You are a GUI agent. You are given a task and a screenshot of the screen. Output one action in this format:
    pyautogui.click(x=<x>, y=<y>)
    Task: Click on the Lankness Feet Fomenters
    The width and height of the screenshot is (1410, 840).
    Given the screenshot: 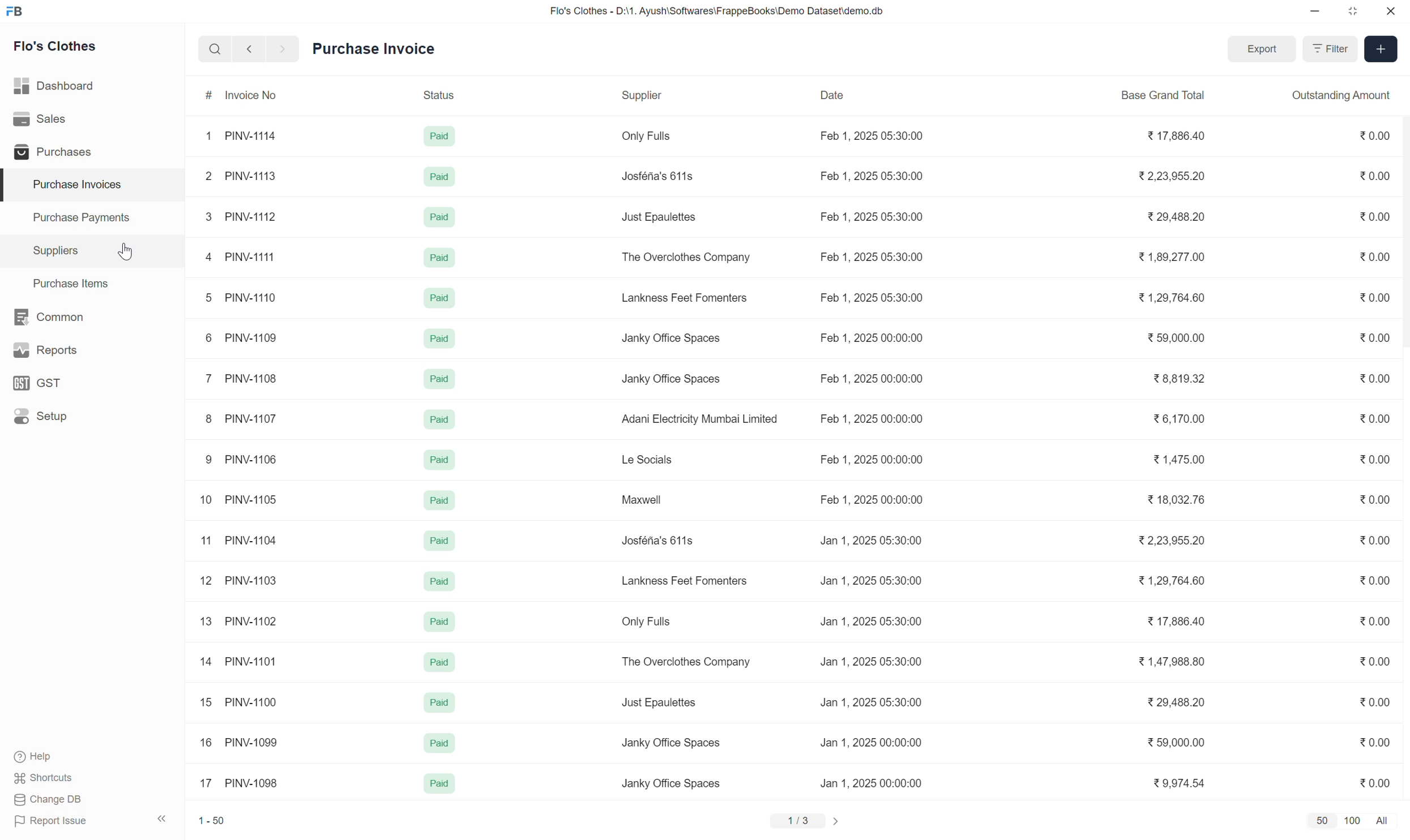 What is the action you would take?
    pyautogui.click(x=685, y=581)
    